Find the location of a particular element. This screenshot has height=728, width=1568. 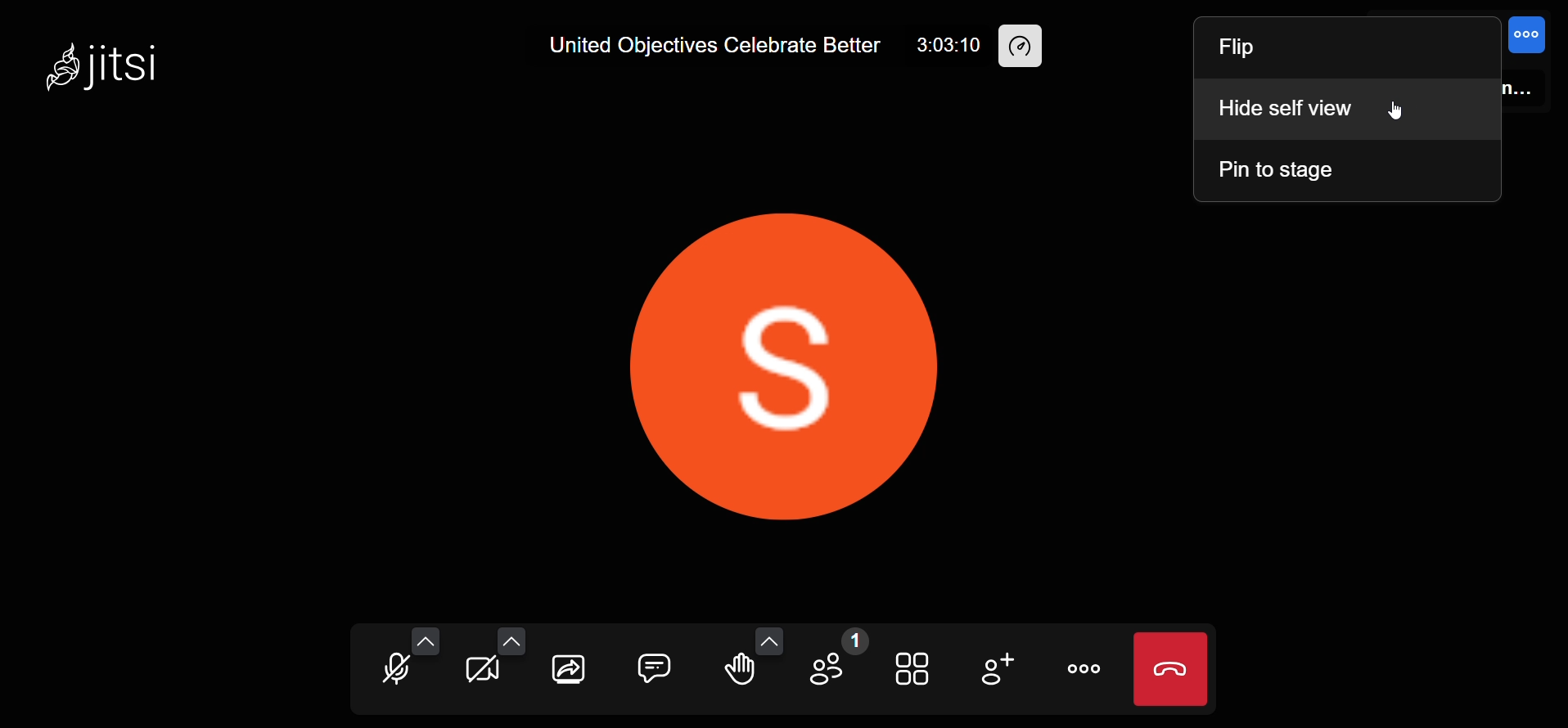

display picture is located at coordinates (799, 362).